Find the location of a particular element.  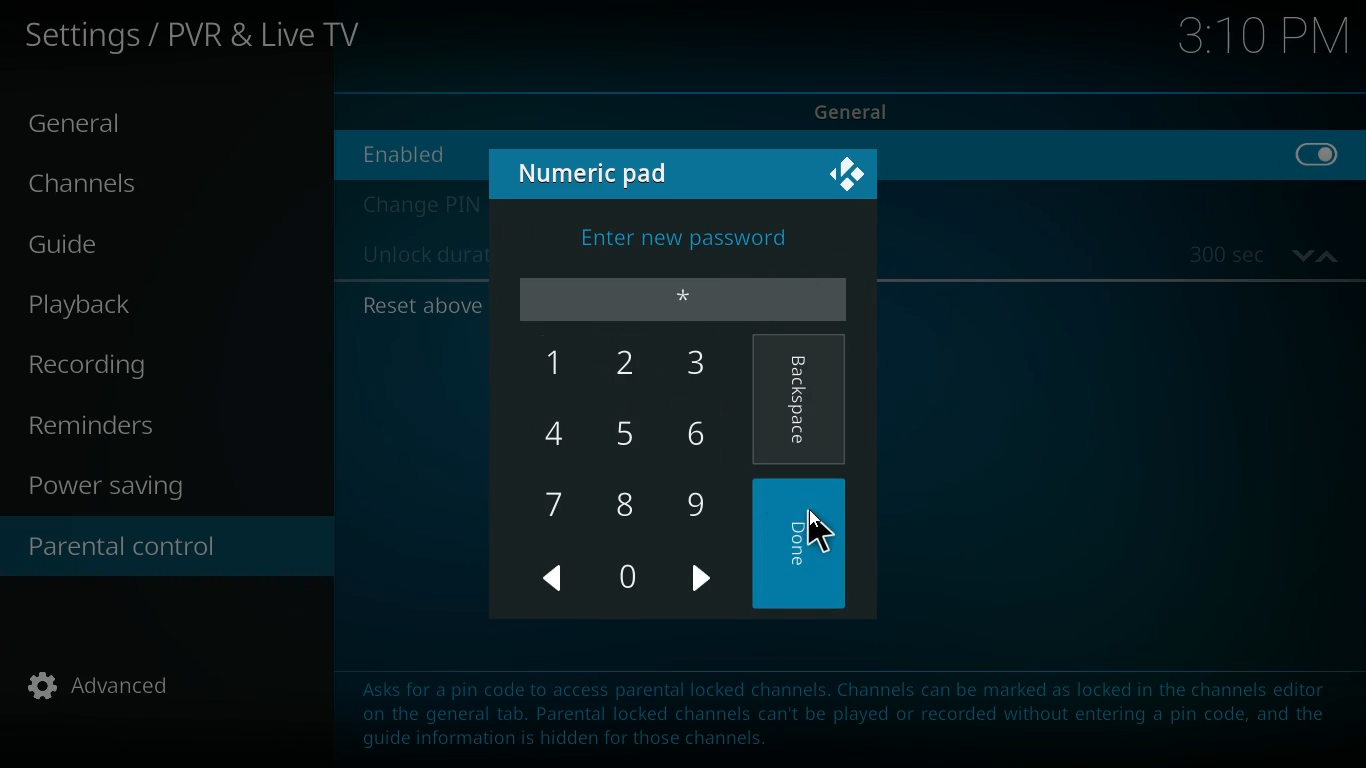

recording is located at coordinates (117, 366).